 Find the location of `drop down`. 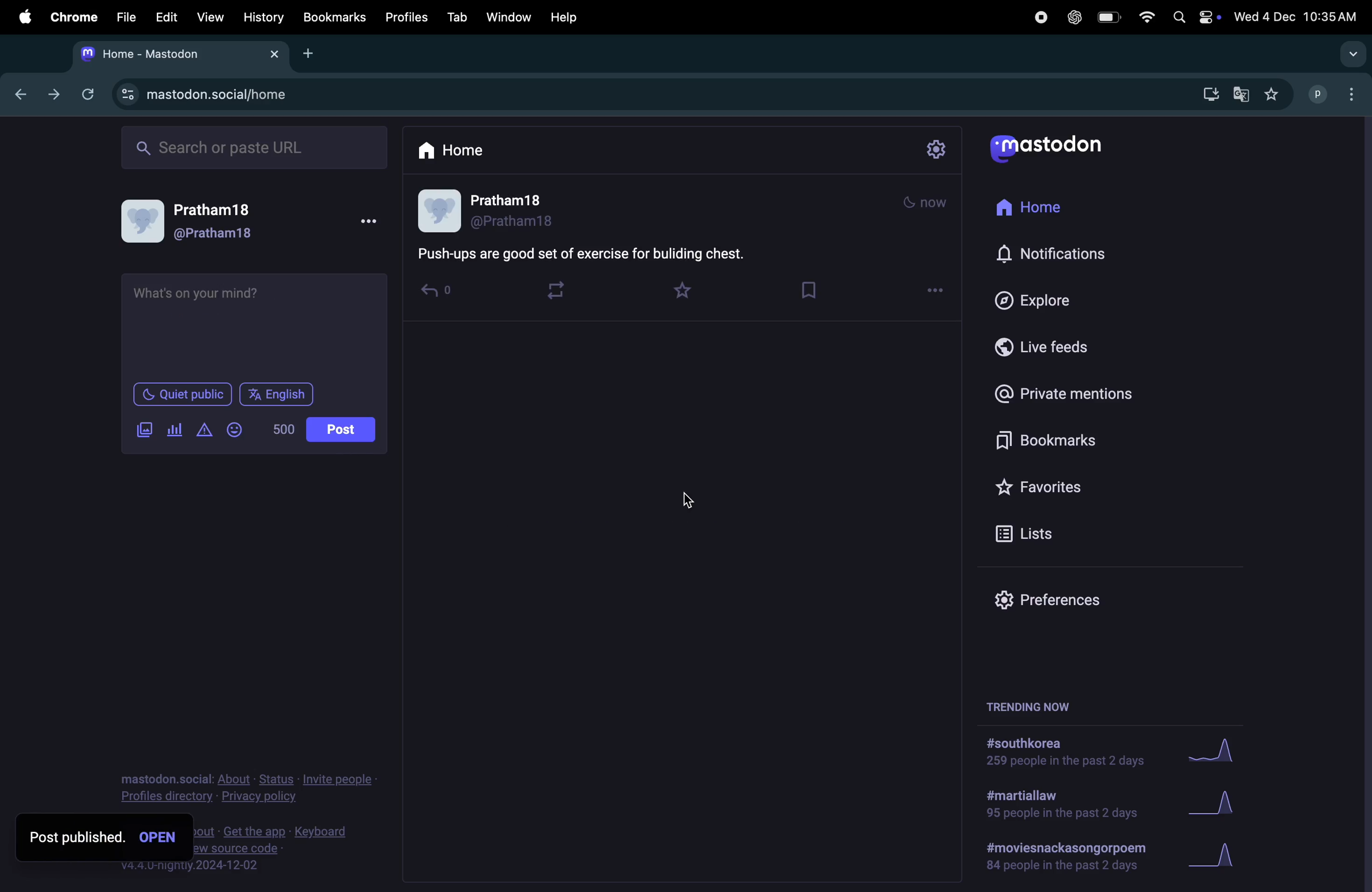

drop down is located at coordinates (1354, 55).